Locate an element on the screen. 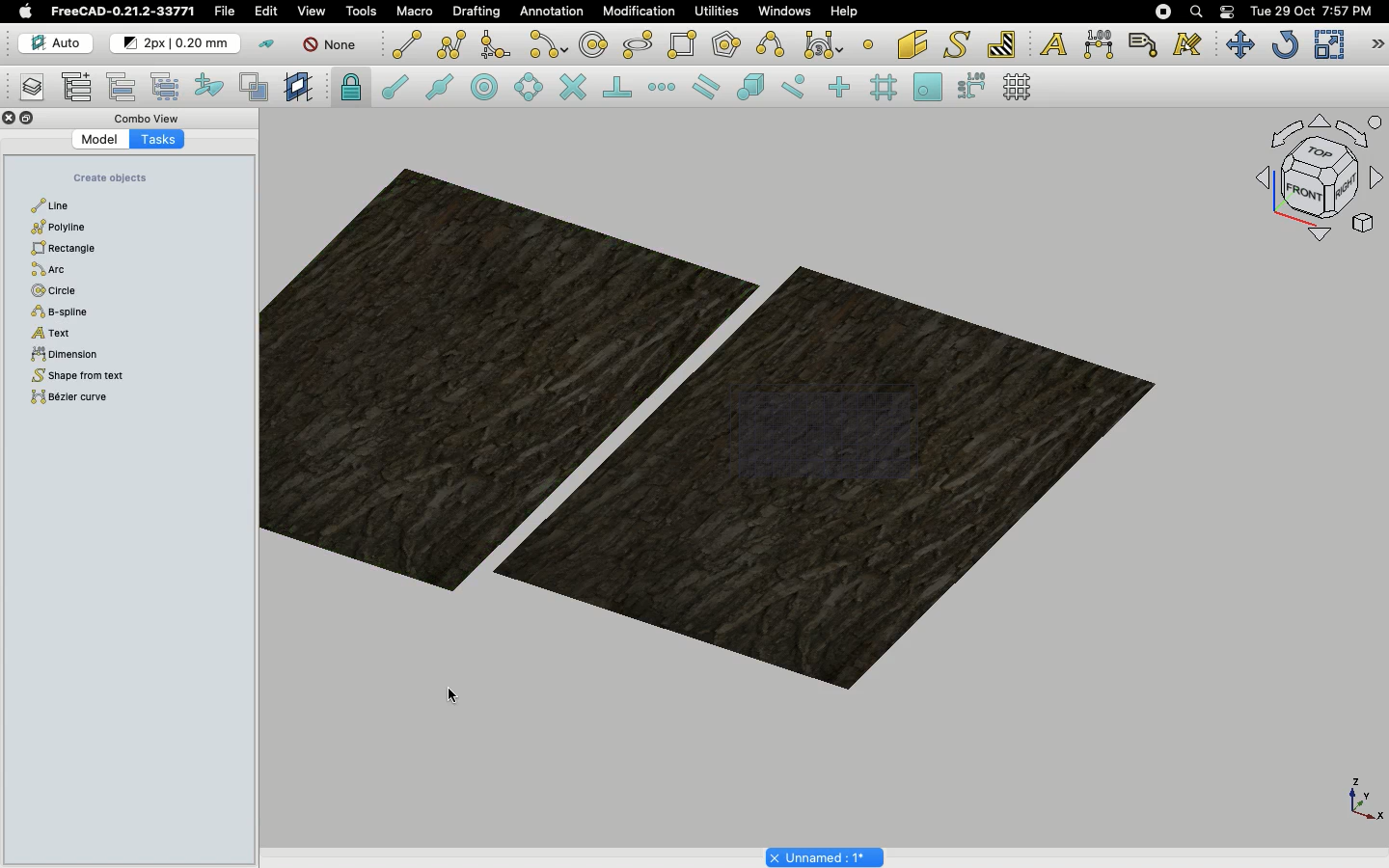 The width and height of the screenshot is (1389, 868). Sphere is located at coordinates (67, 313).